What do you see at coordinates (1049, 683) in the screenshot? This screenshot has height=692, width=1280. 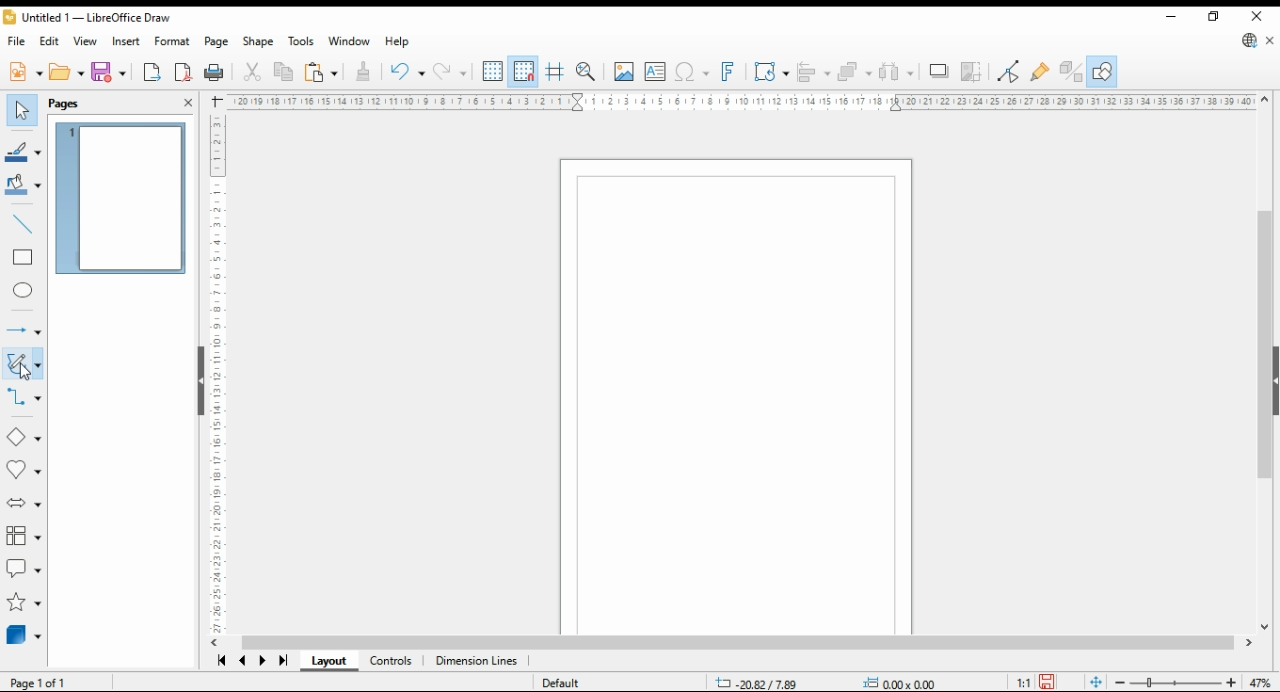 I see `save` at bounding box center [1049, 683].